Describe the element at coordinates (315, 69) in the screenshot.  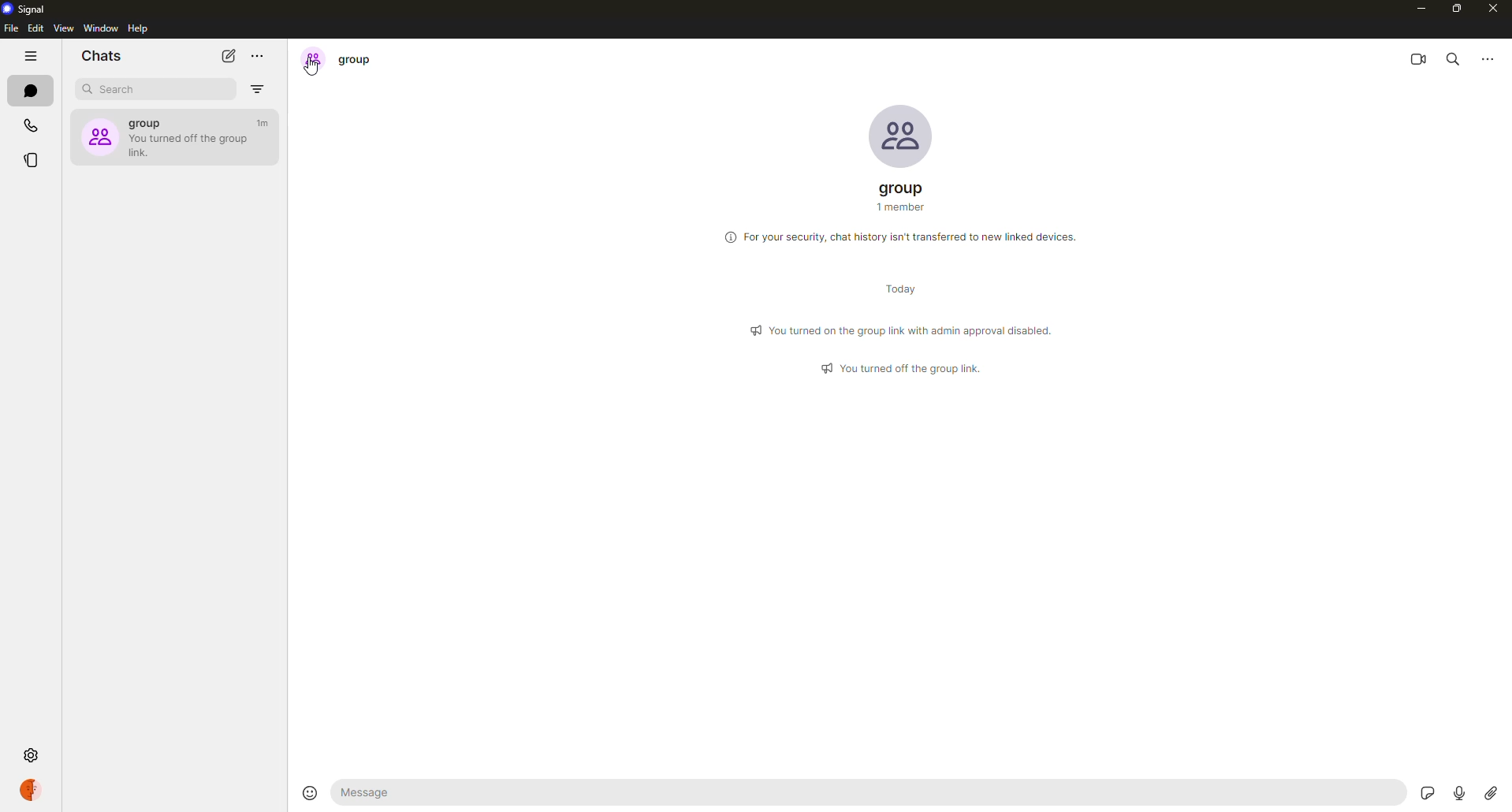
I see `cursor` at that location.